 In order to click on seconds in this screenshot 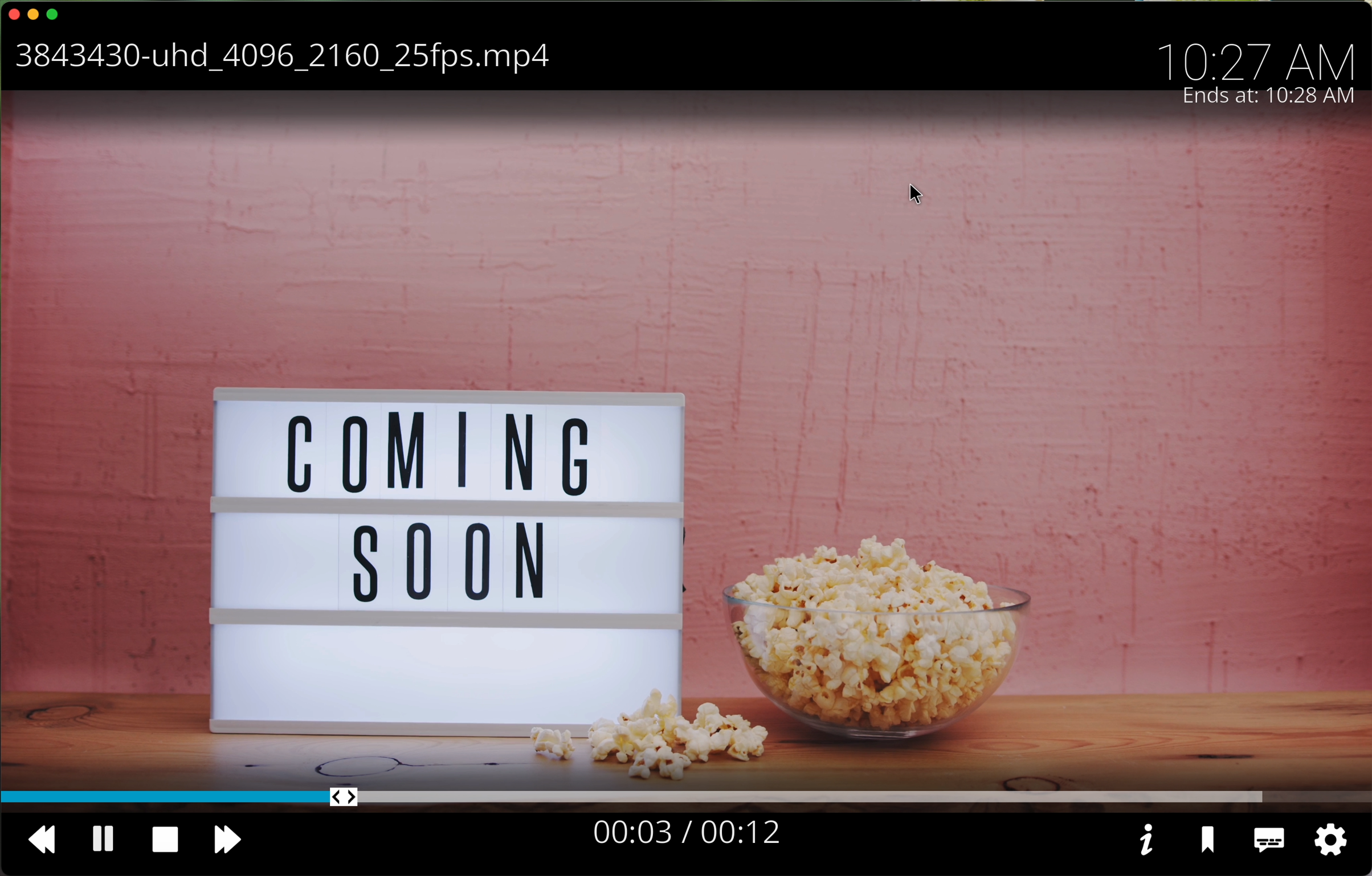, I will do `click(690, 835)`.